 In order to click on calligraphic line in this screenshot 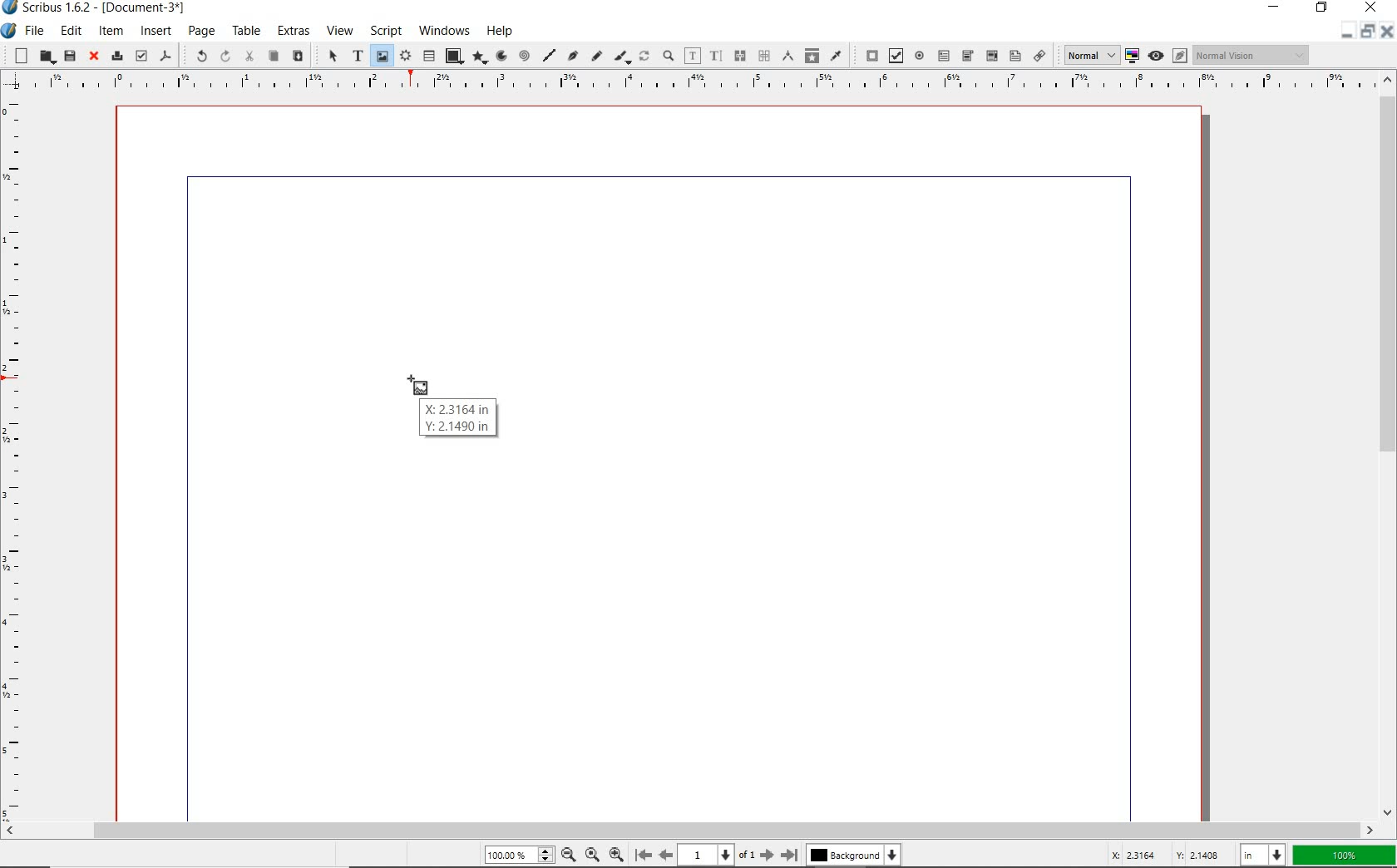, I will do `click(621, 57)`.